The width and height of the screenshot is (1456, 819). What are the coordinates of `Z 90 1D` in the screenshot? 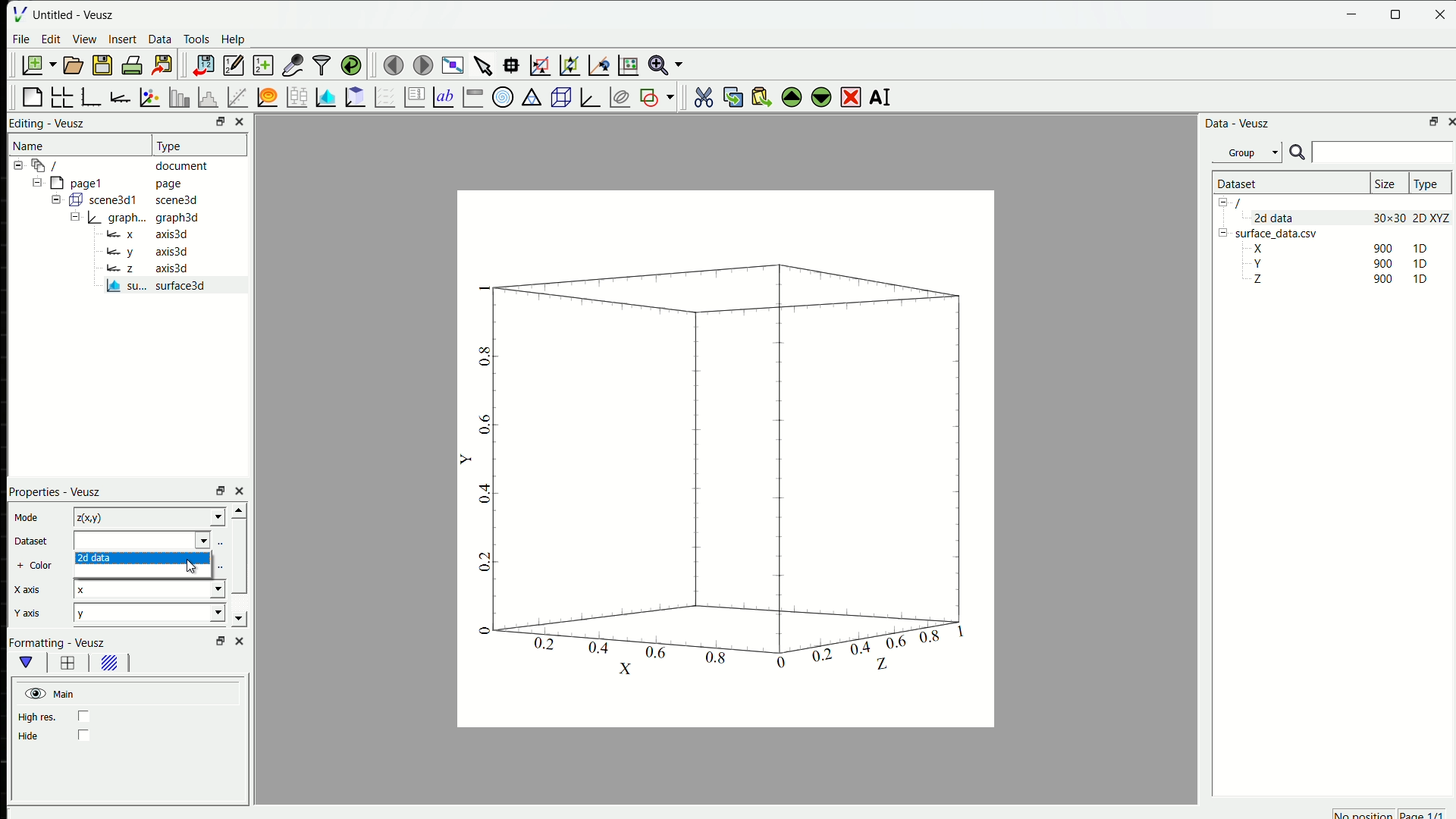 It's located at (1335, 279).